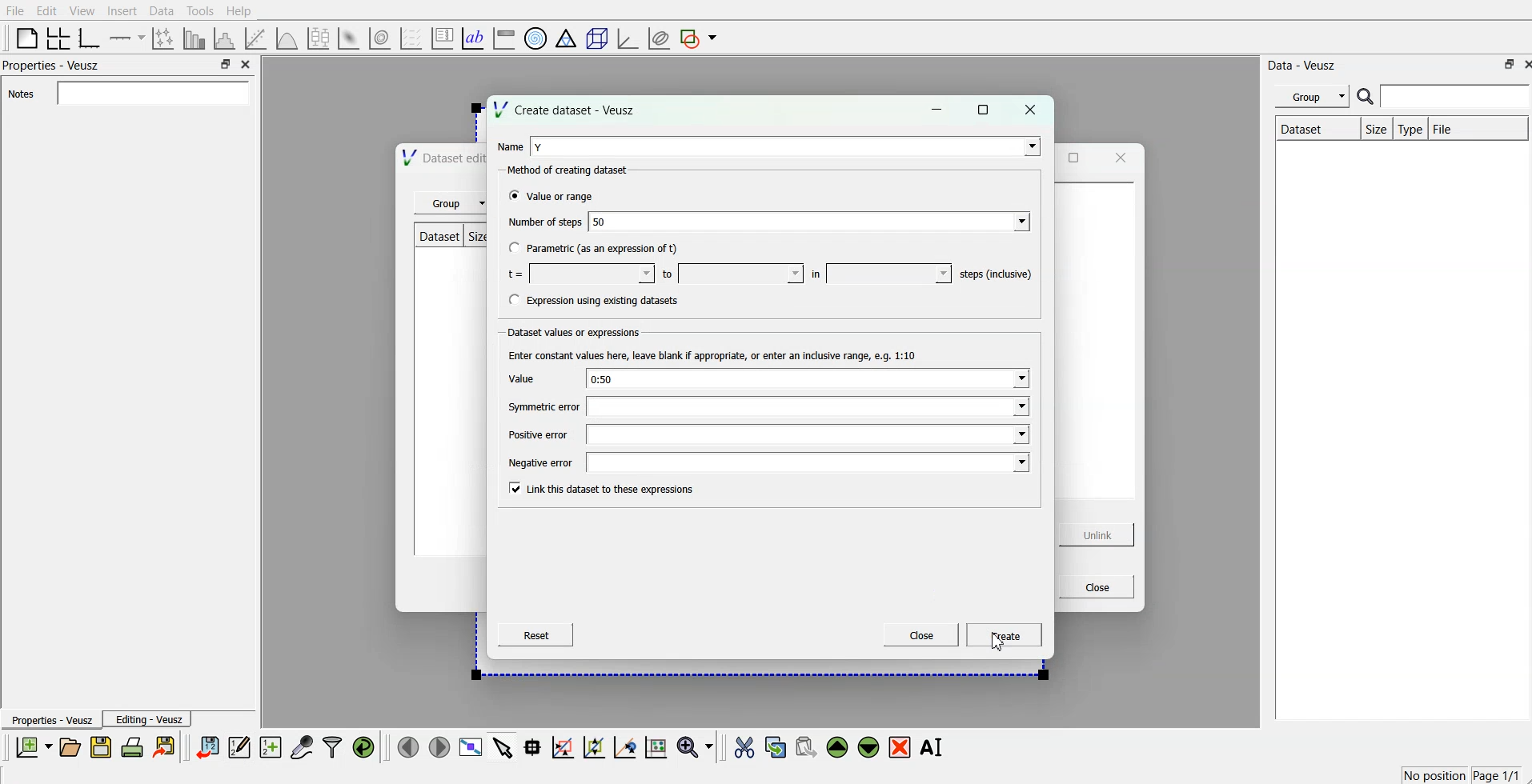 This screenshot has height=784, width=1532. Describe the element at coordinates (595, 748) in the screenshot. I see `click to zoom out graph axes` at that location.